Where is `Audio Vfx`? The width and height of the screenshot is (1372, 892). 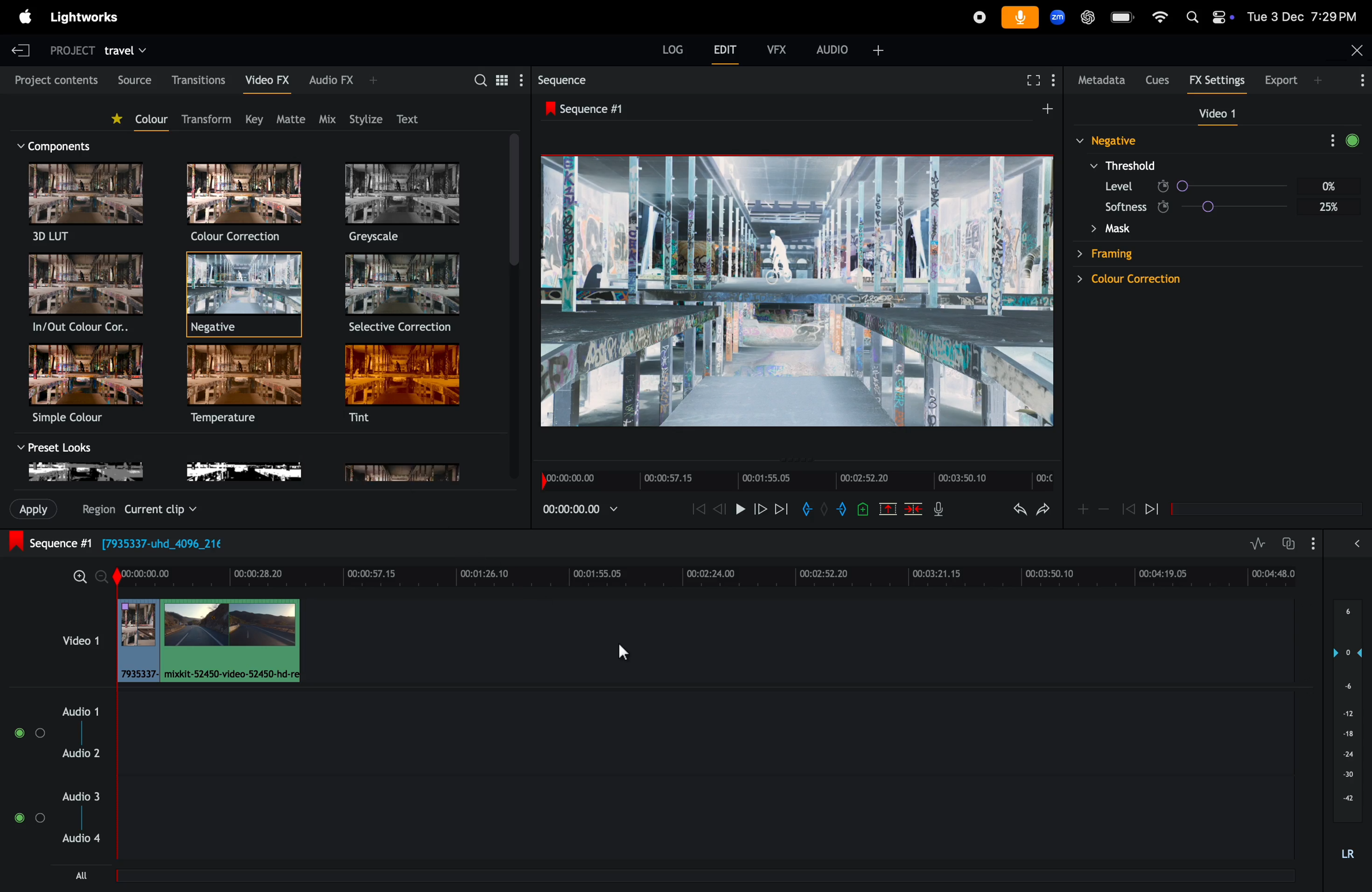
Audio Vfx is located at coordinates (344, 81).